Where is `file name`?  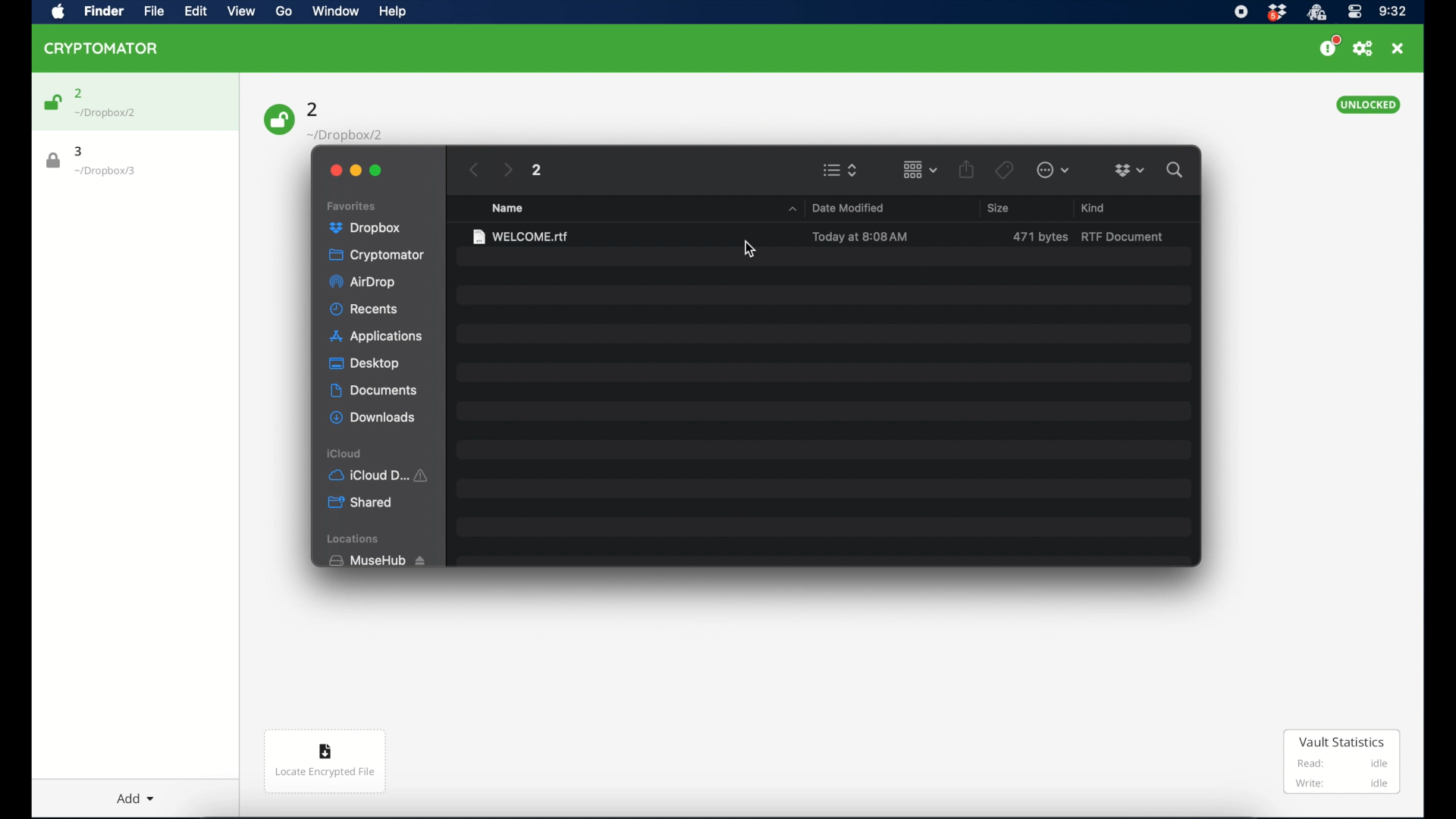 file name is located at coordinates (521, 236).